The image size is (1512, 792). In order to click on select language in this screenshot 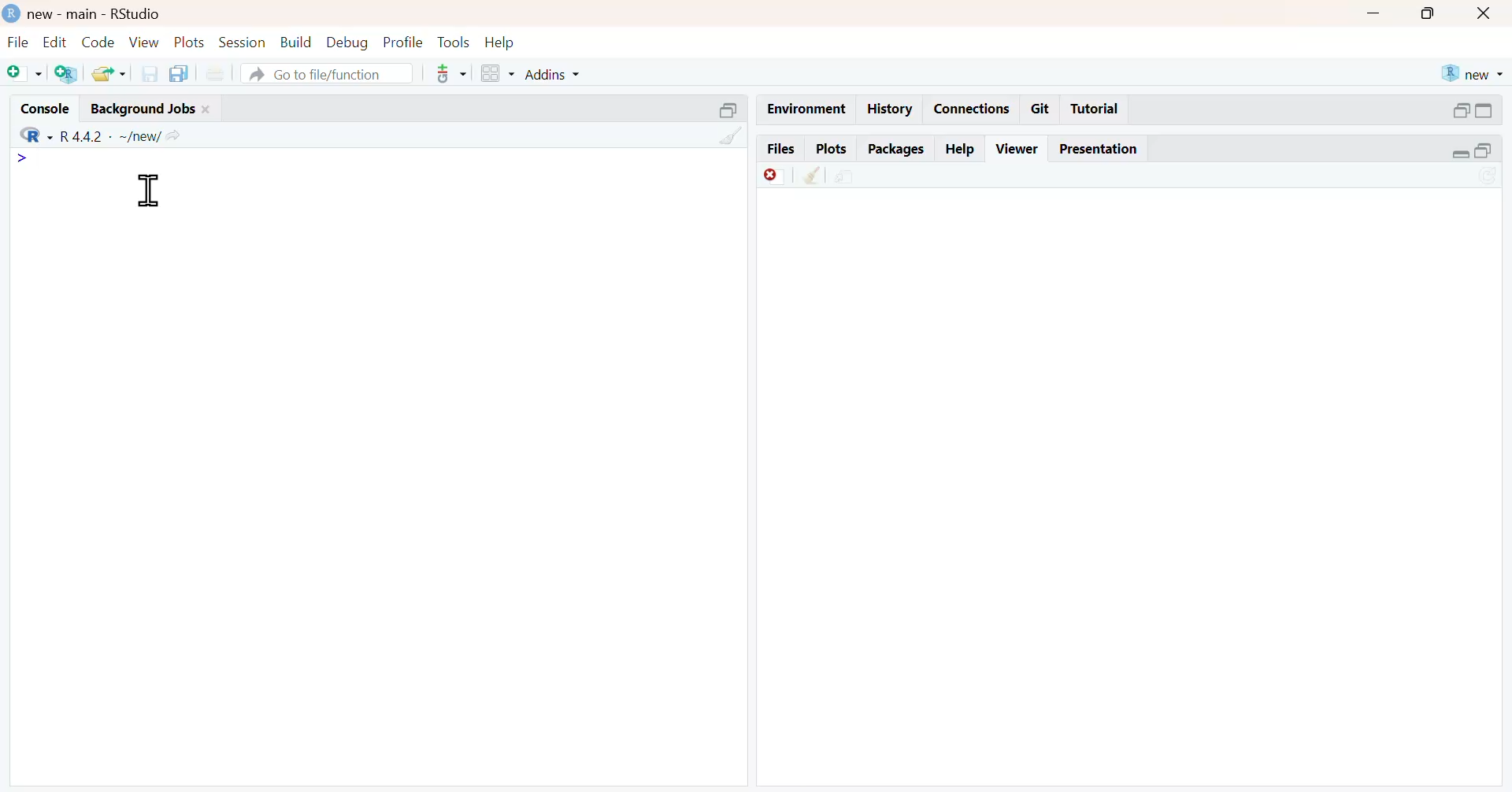, I will do `click(28, 134)`.